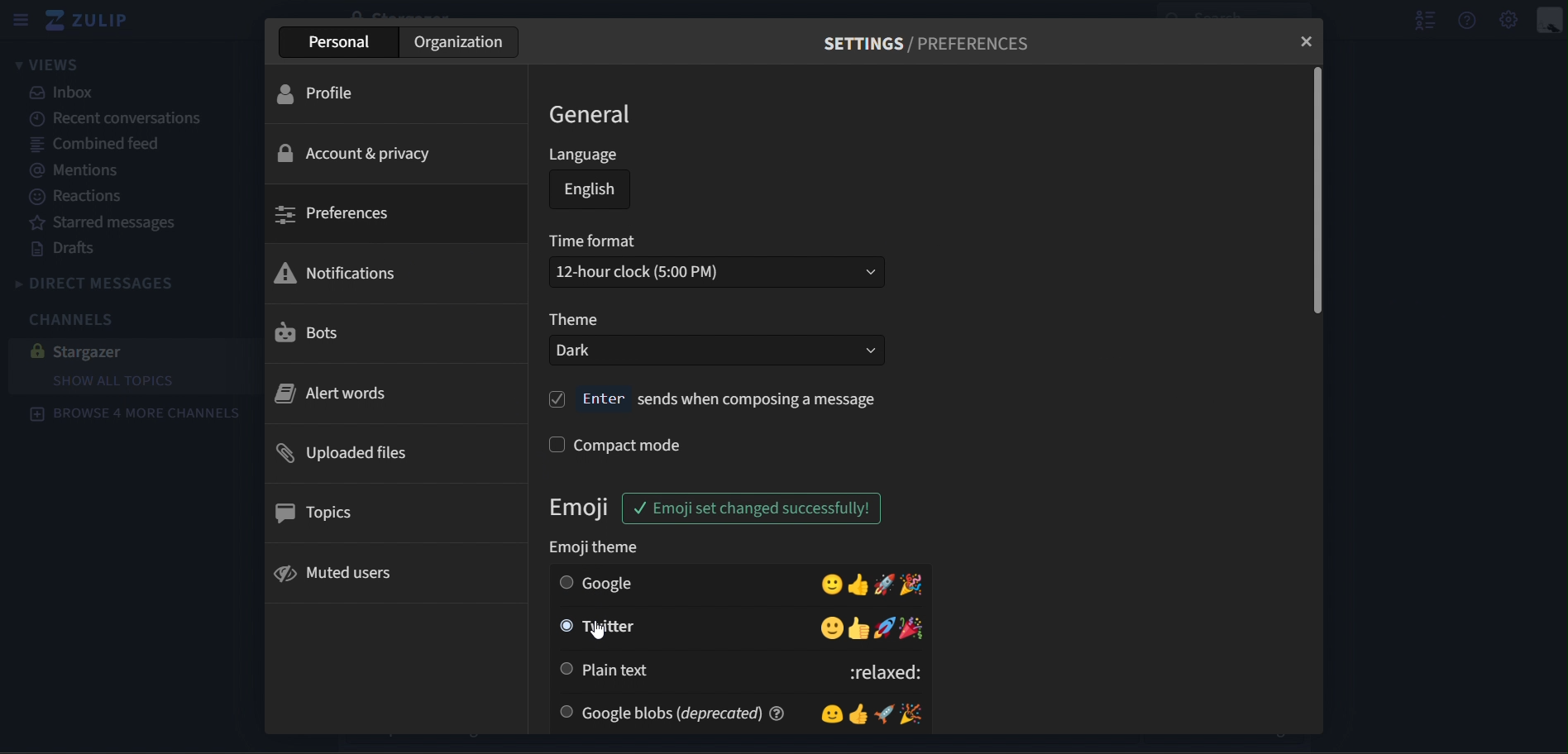  Describe the element at coordinates (715, 399) in the screenshot. I see `enter sends when composing a message` at that location.